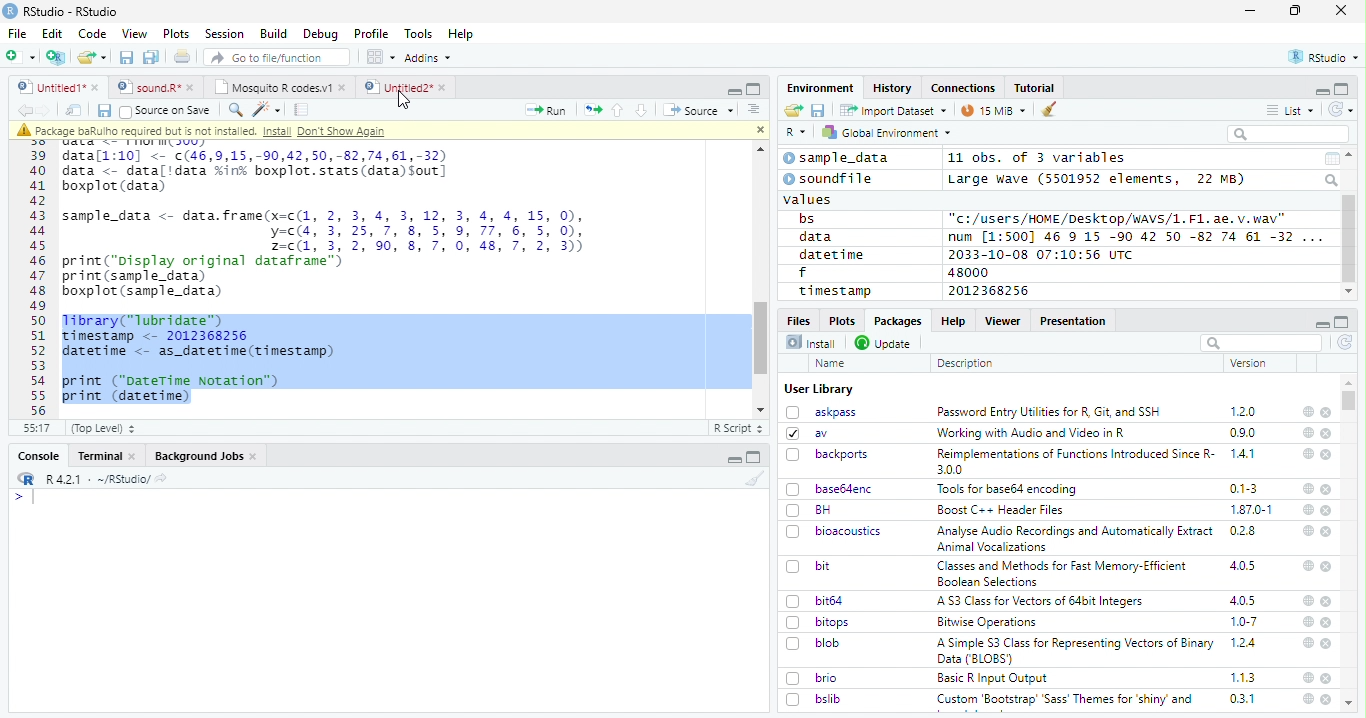  What do you see at coordinates (893, 110) in the screenshot?
I see `Import Dataset` at bounding box center [893, 110].